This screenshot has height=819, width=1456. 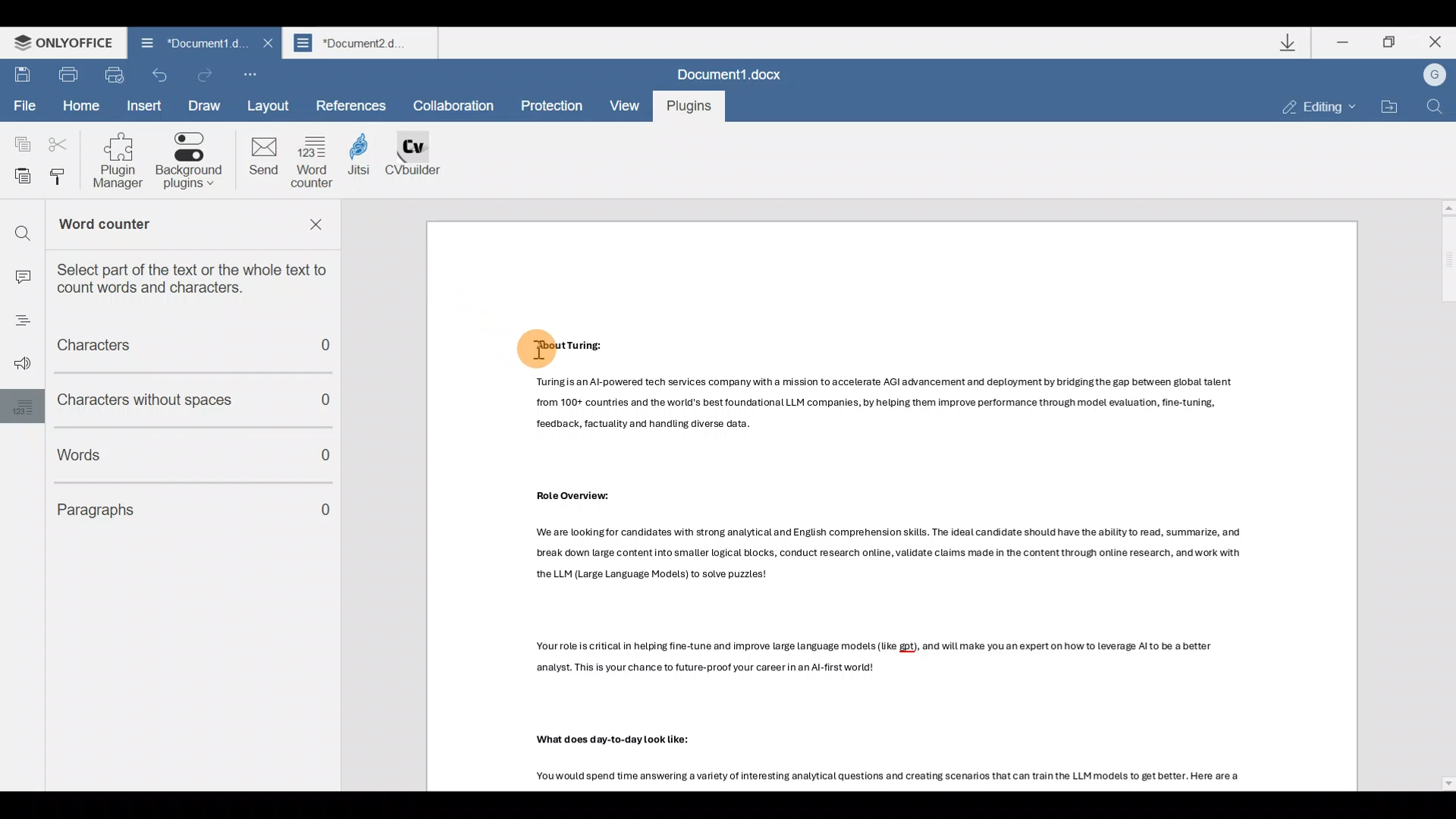 What do you see at coordinates (21, 272) in the screenshot?
I see `input` at bounding box center [21, 272].